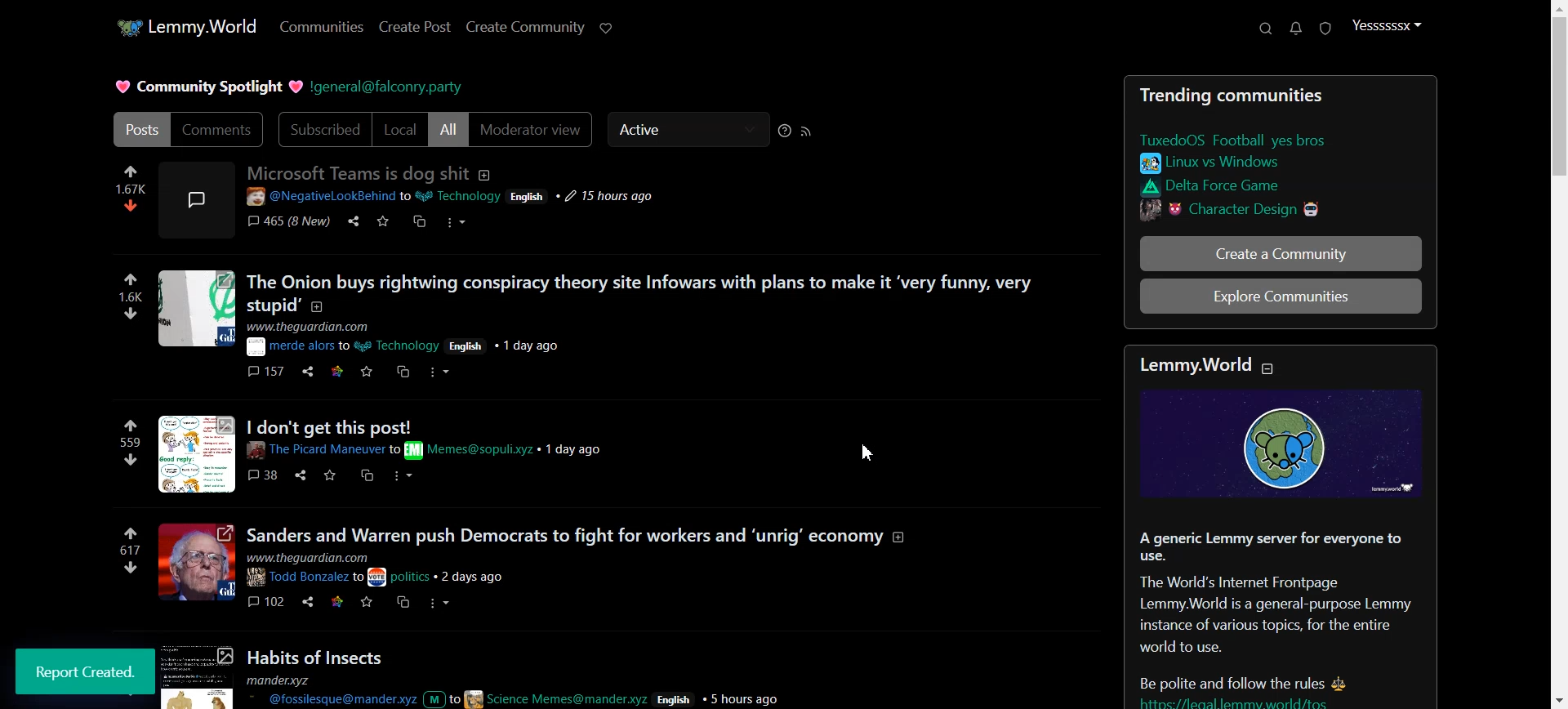 This screenshot has height=709, width=1568. I want to click on dislike, so click(131, 459).